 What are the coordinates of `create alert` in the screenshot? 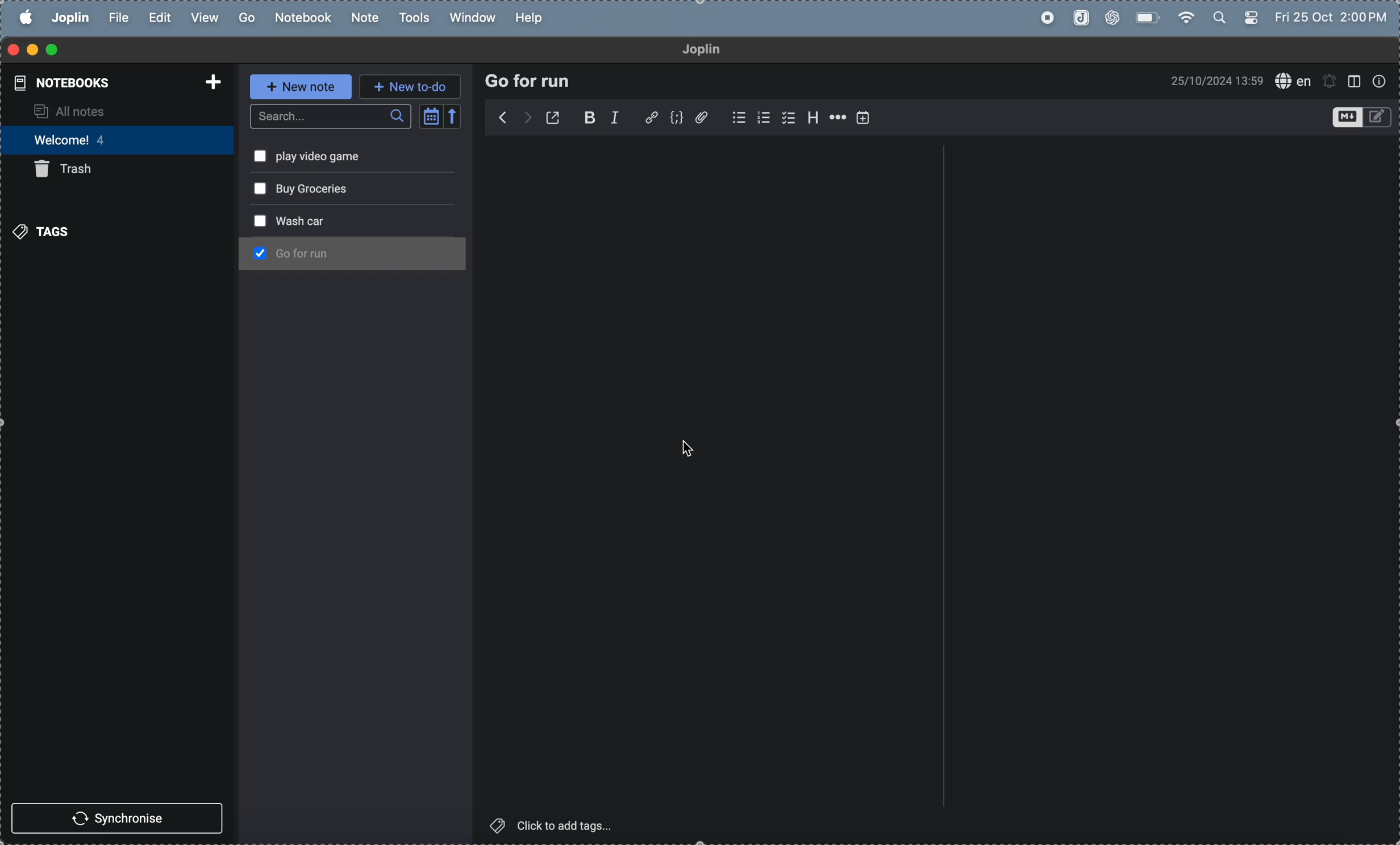 It's located at (1331, 81).